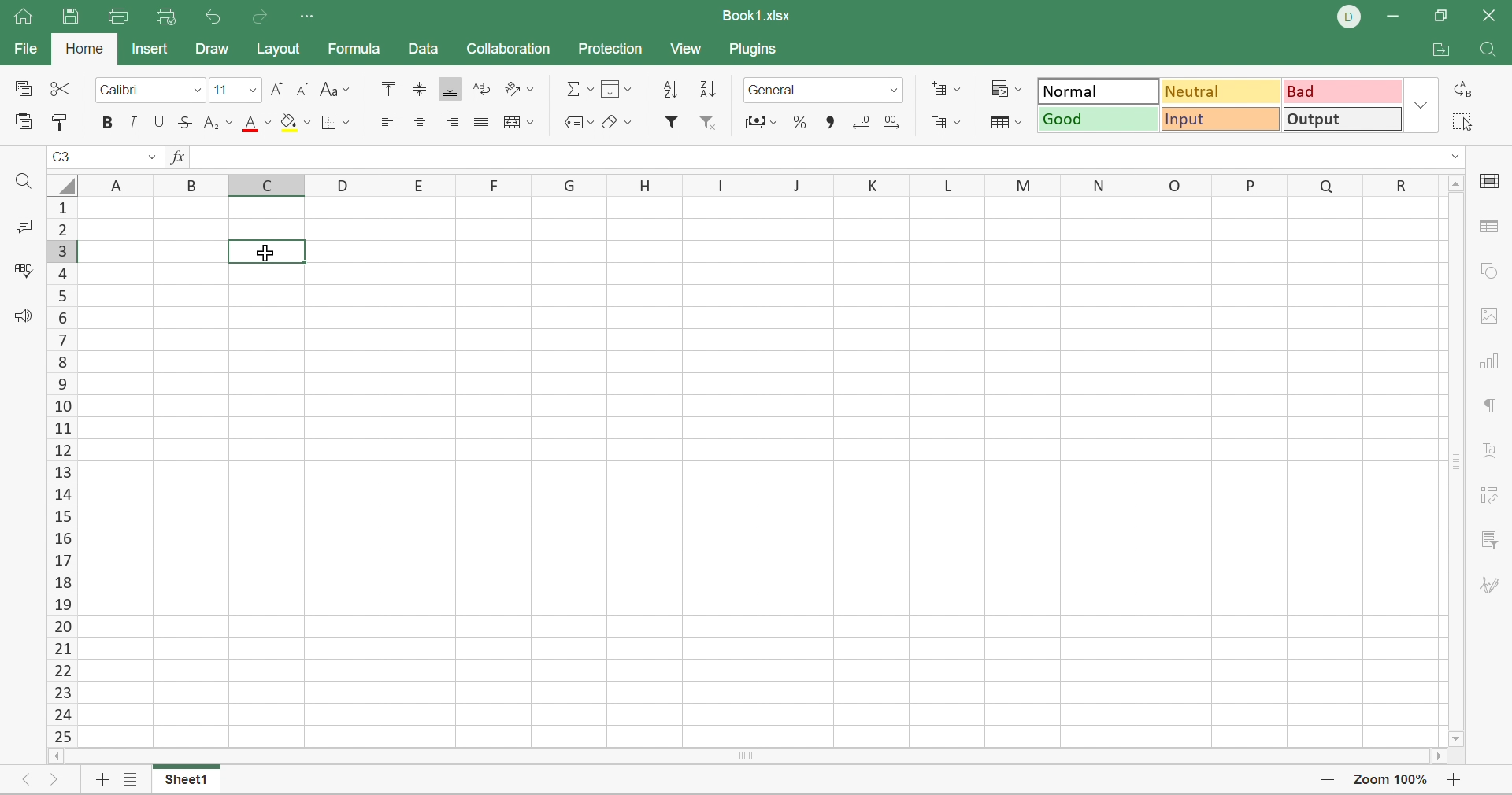 This screenshot has height=795, width=1512. I want to click on Number format, so click(777, 89).